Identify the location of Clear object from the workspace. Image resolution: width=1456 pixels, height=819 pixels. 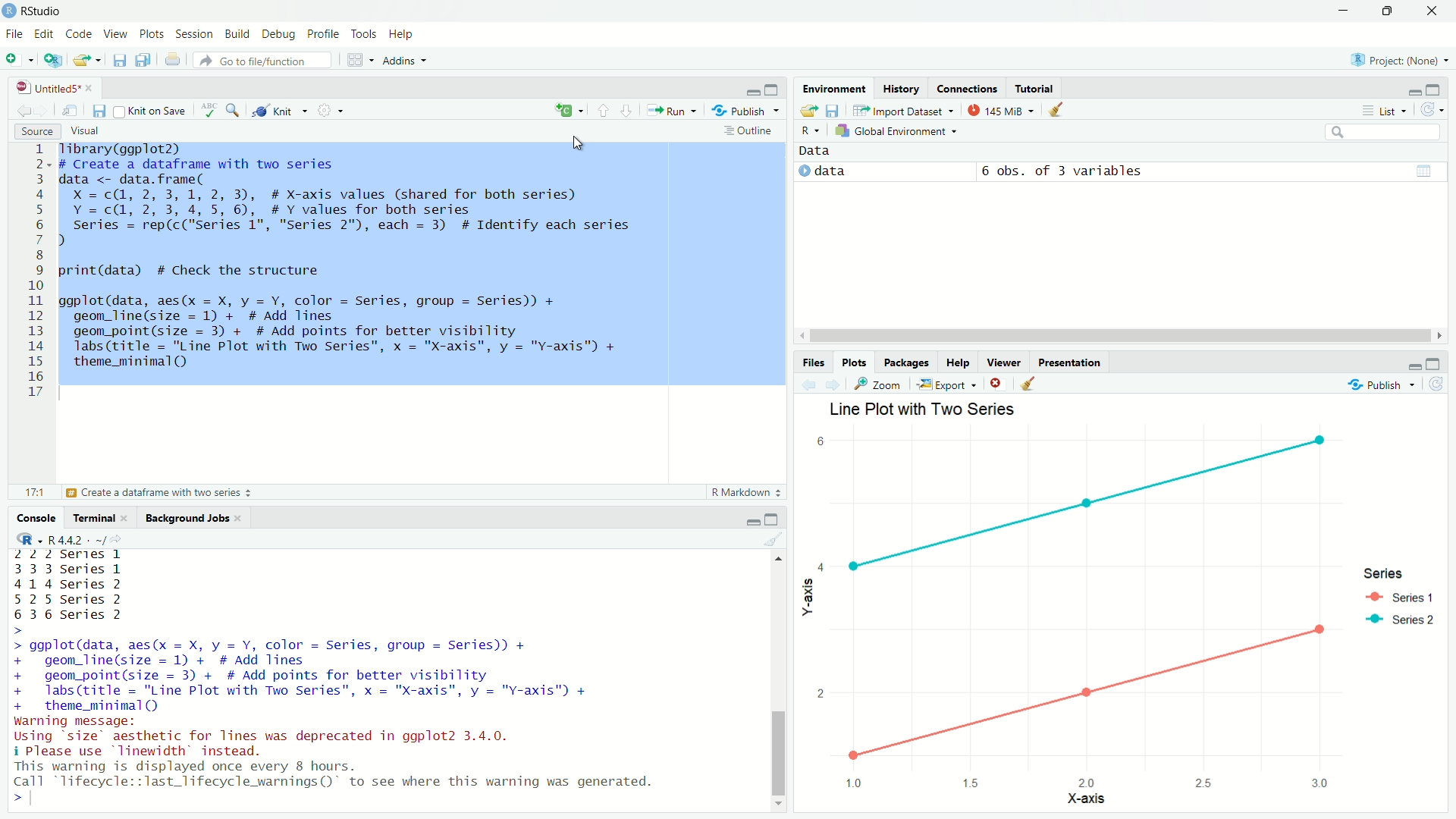
(1059, 109).